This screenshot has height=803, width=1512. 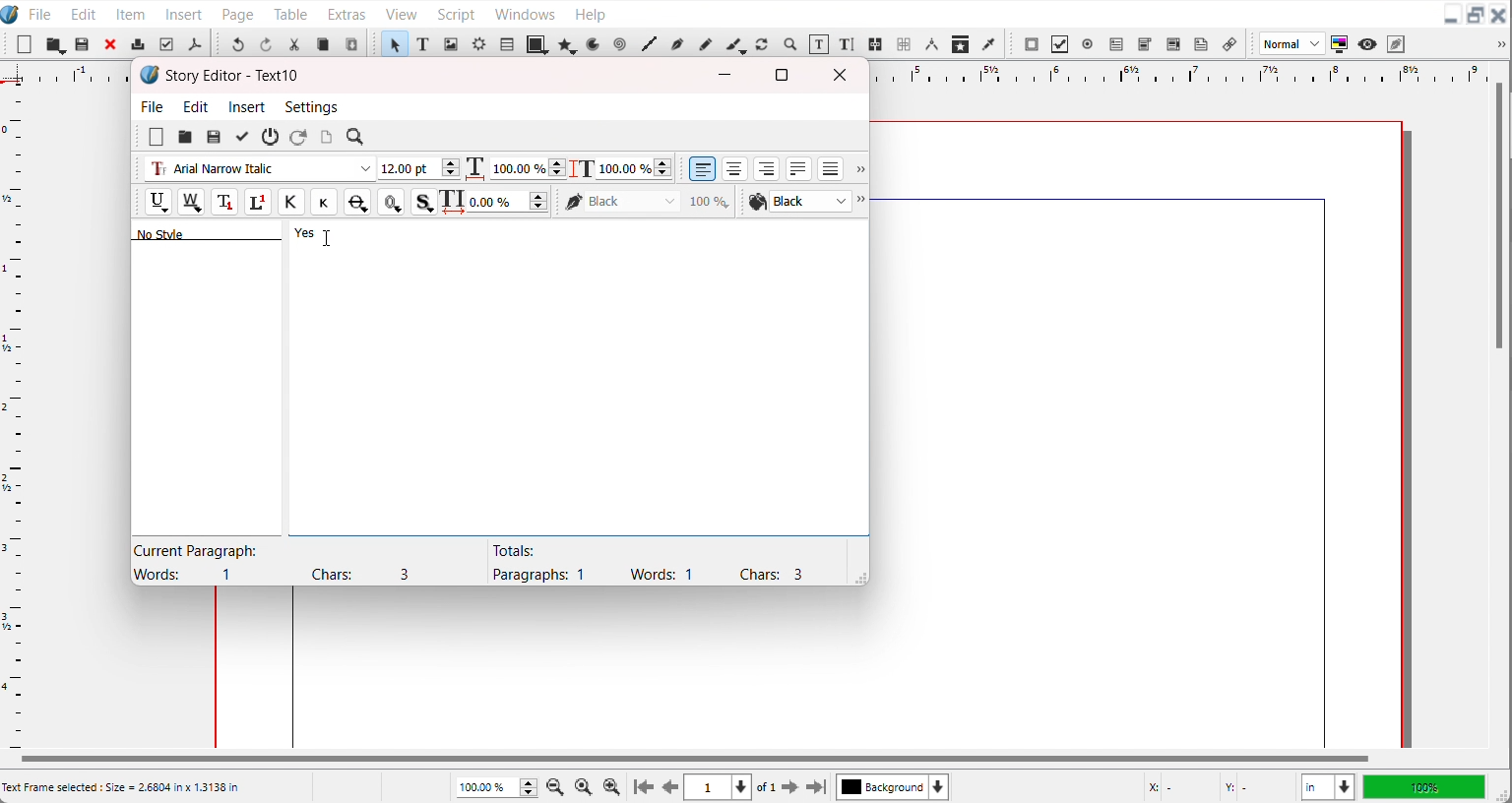 What do you see at coordinates (226, 232) in the screenshot?
I see `Text` at bounding box center [226, 232].